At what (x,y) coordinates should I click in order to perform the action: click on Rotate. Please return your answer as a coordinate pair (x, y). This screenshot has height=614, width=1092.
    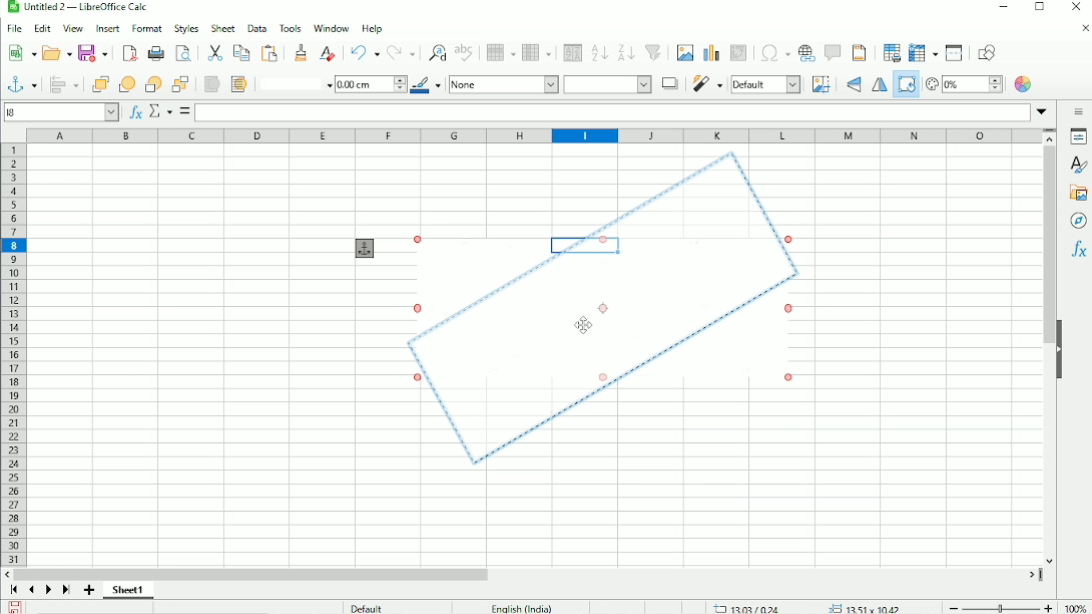
    Looking at the image, I should click on (905, 88).